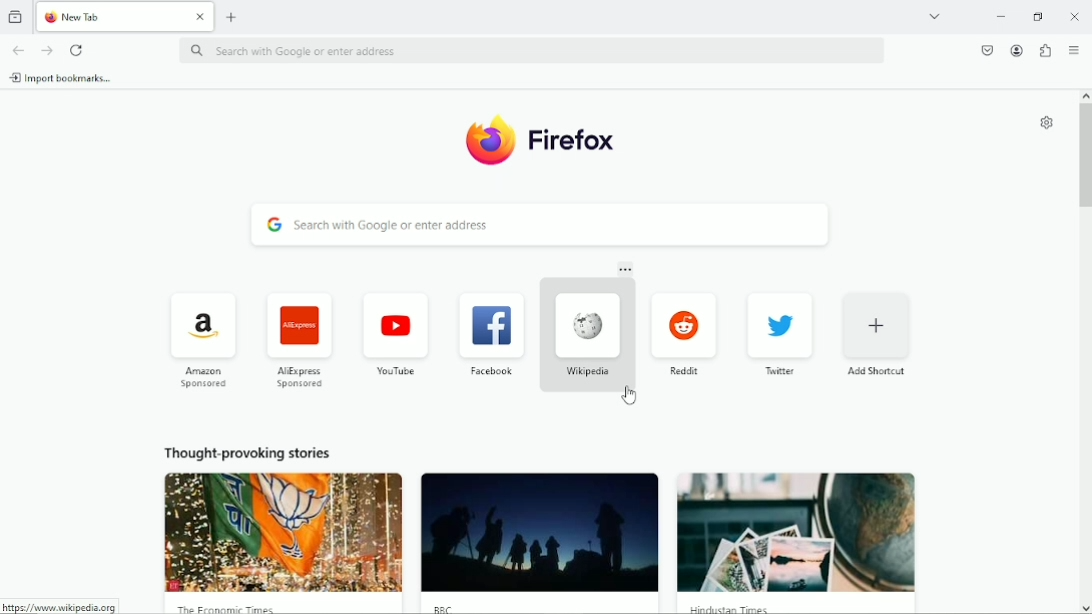 This screenshot has height=614, width=1092. Describe the element at coordinates (683, 330) in the screenshot. I see `Reddit` at that location.